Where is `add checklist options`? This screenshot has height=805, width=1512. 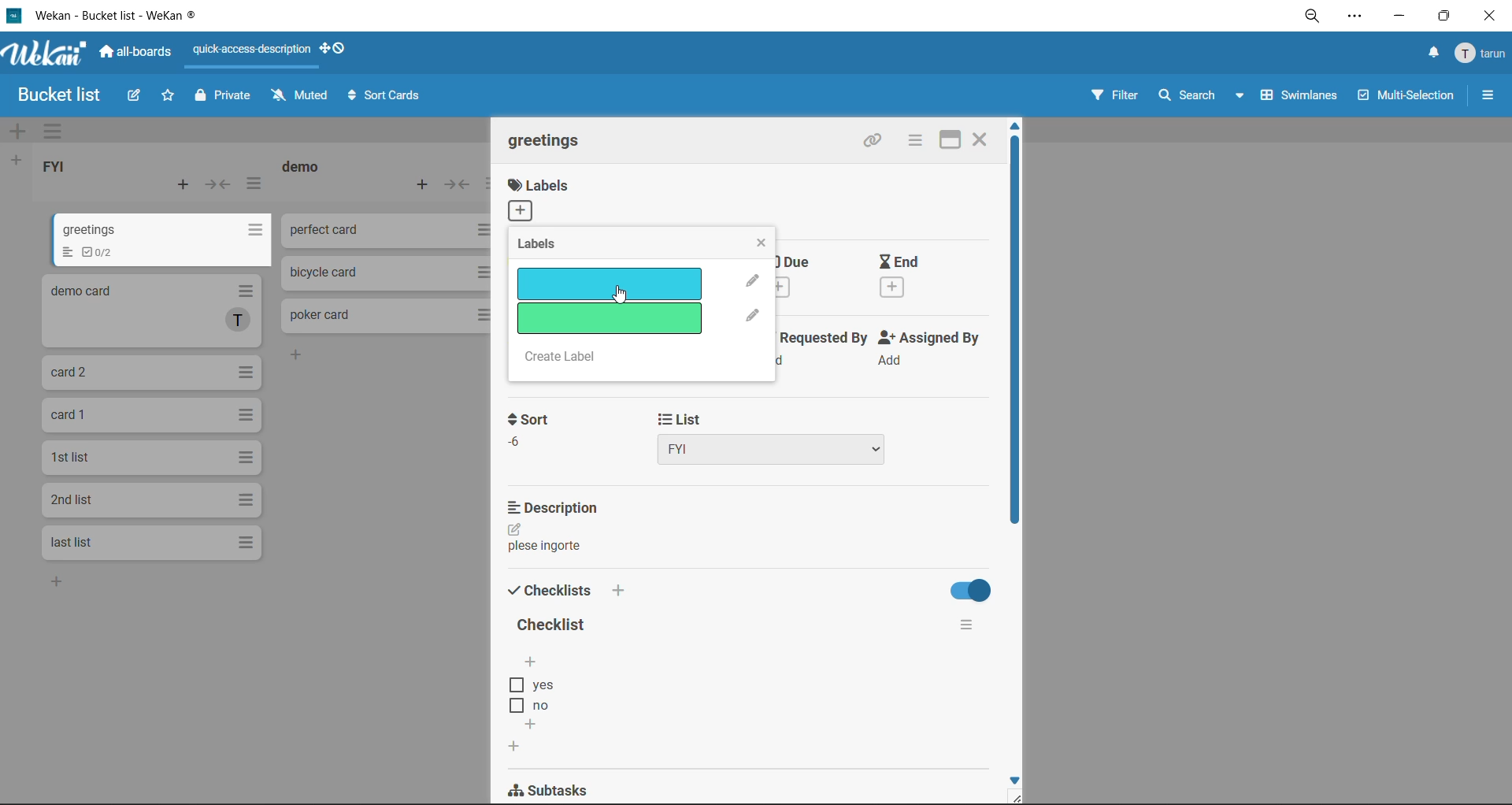
add checklist options is located at coordinates (533, 662).